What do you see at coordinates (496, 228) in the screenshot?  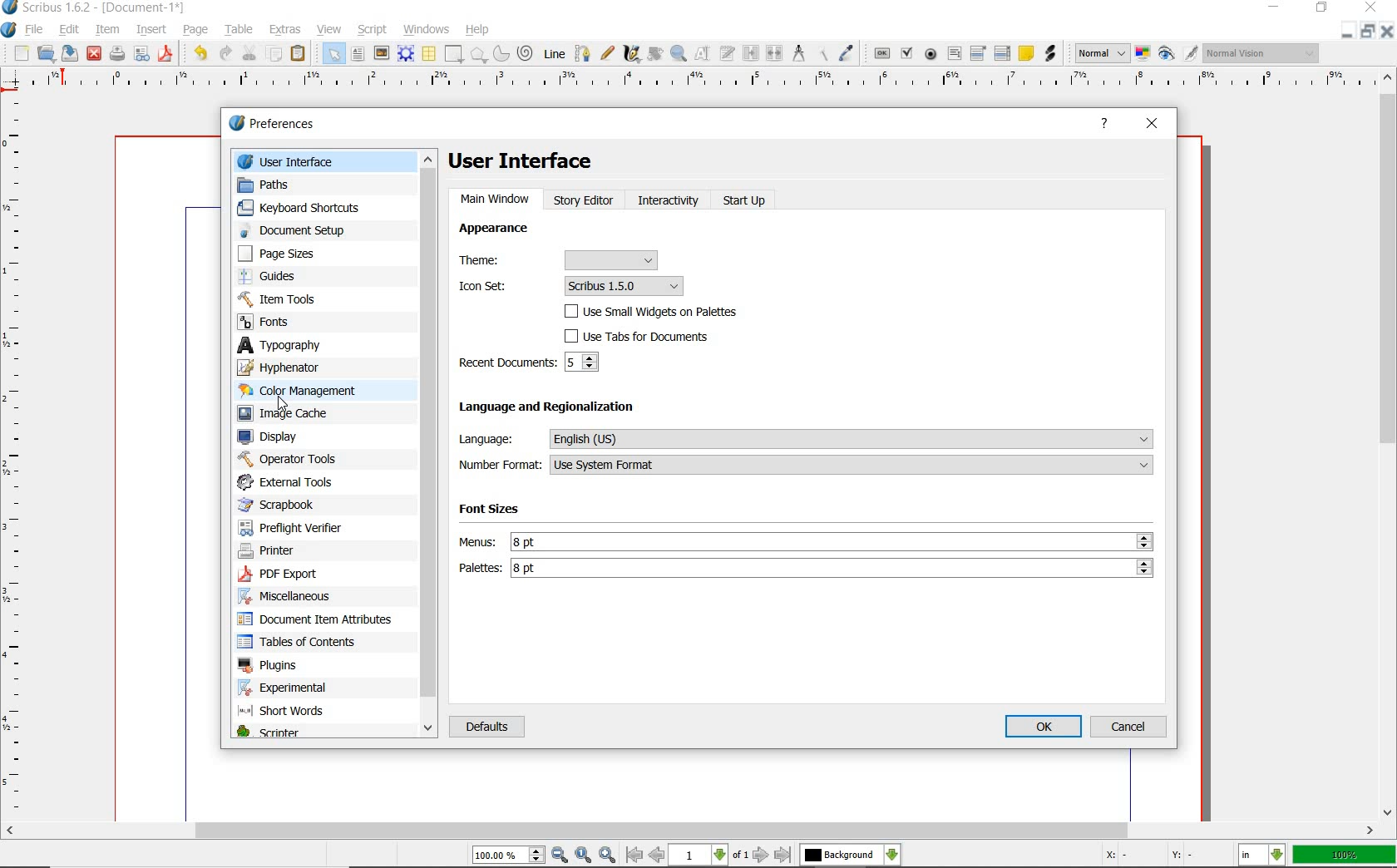 I see `APPEARANCE` at bounding box center [496, 228].